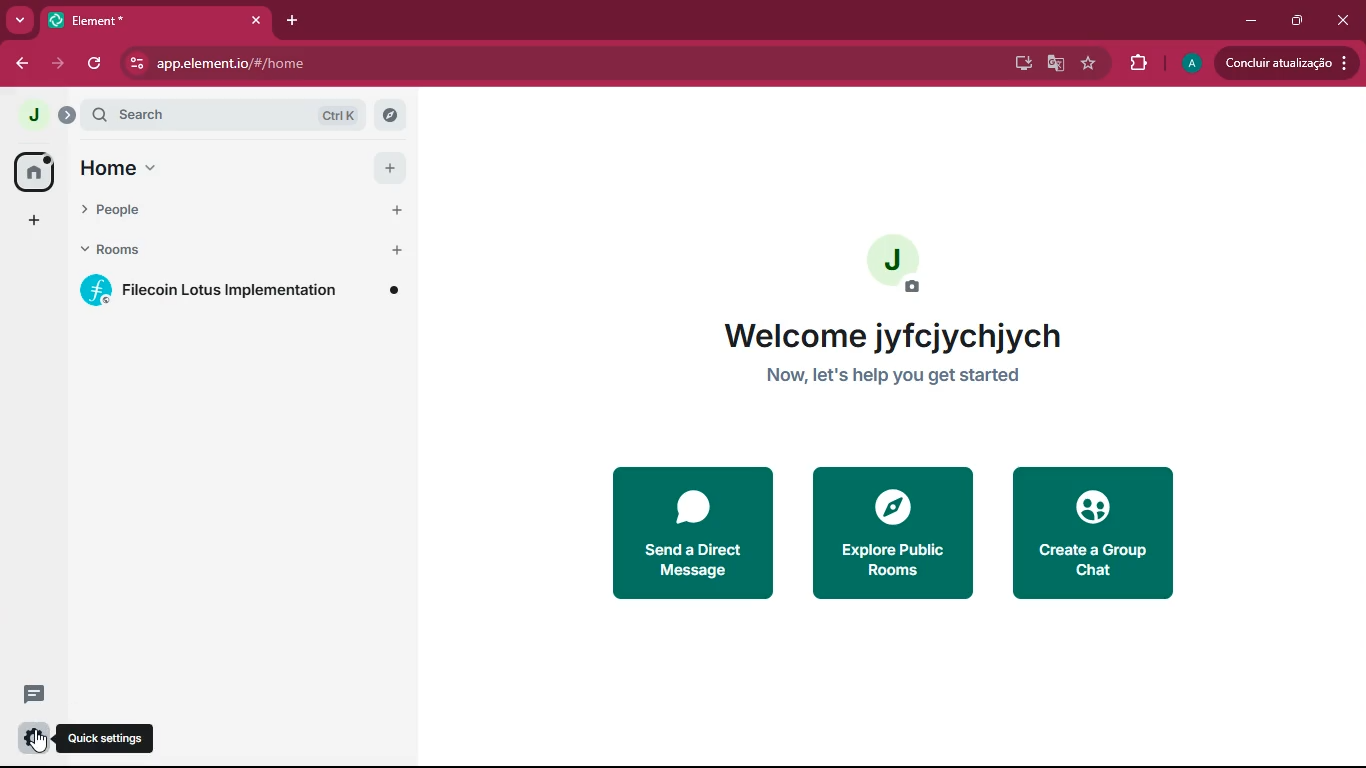 The image size is (1366, 768). Describe the element at coordinates (26, 63) in the screenshot. I see `back` at that location.